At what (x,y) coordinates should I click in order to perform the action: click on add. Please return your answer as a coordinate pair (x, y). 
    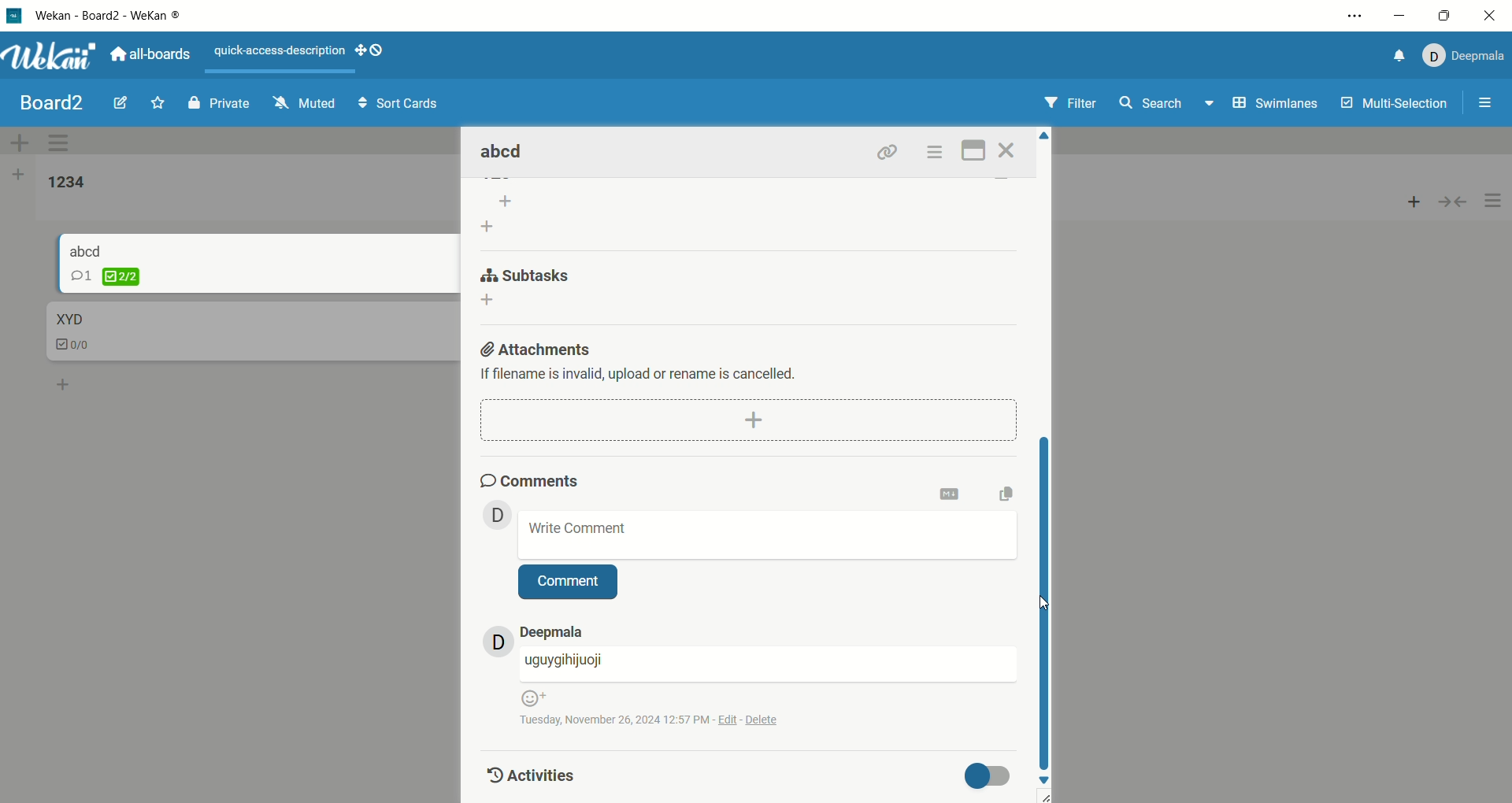
    Looking at the image, I should click on (493, 302).